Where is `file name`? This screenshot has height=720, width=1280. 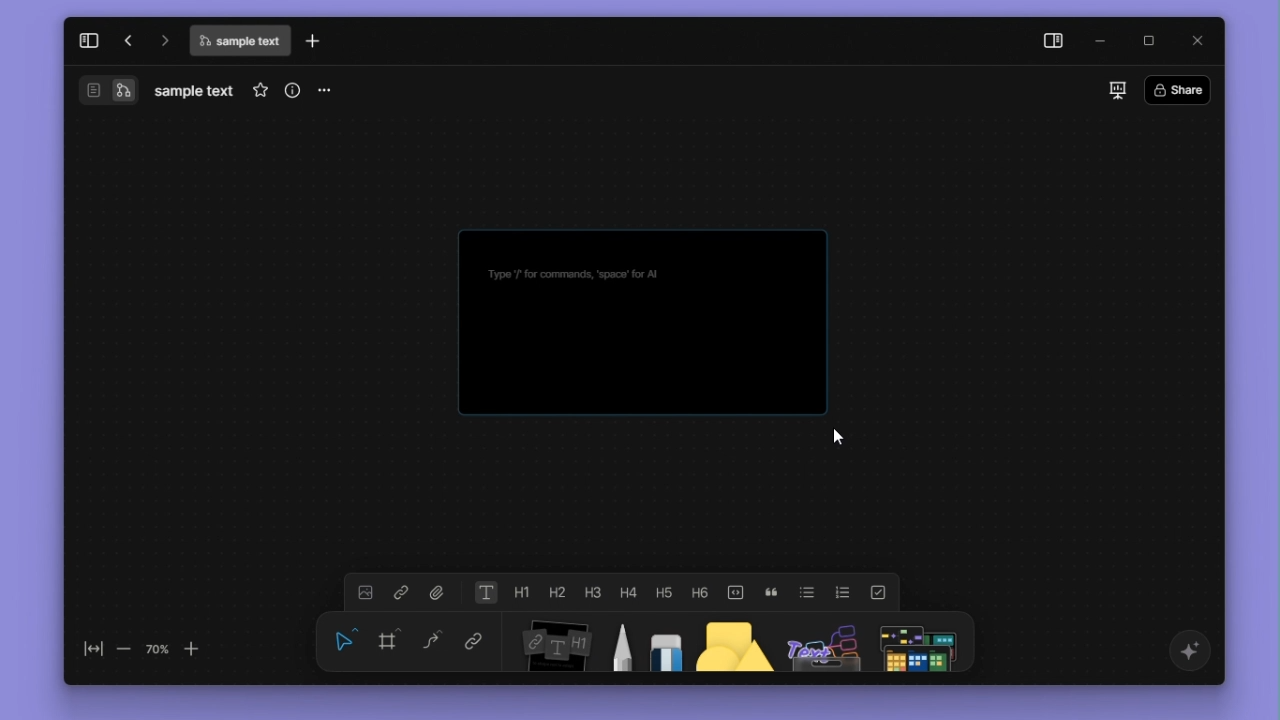 file name is located at coordinates (239, 43).